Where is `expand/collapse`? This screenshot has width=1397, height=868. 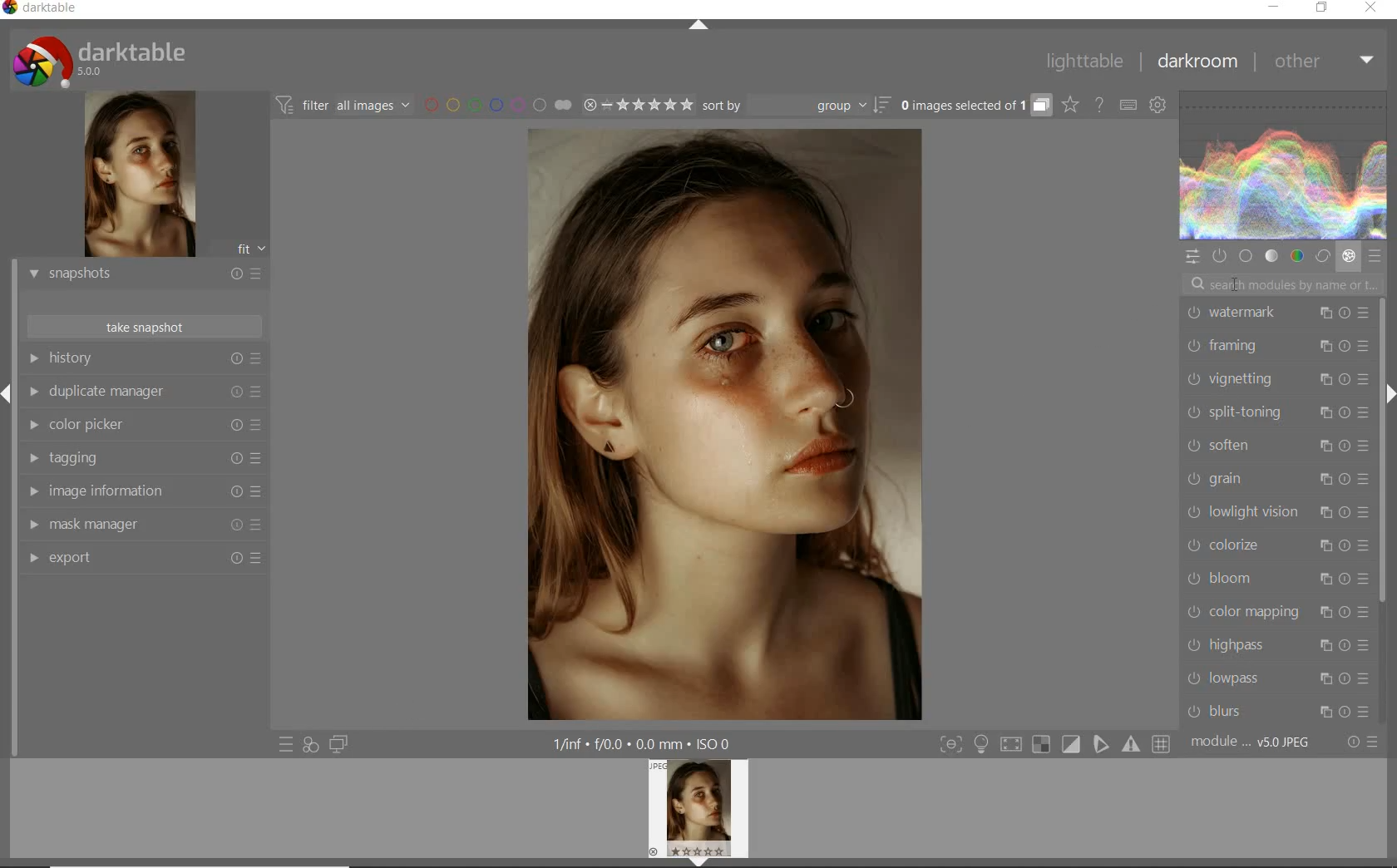 expand/collapse is located at coordinates (699, 28).